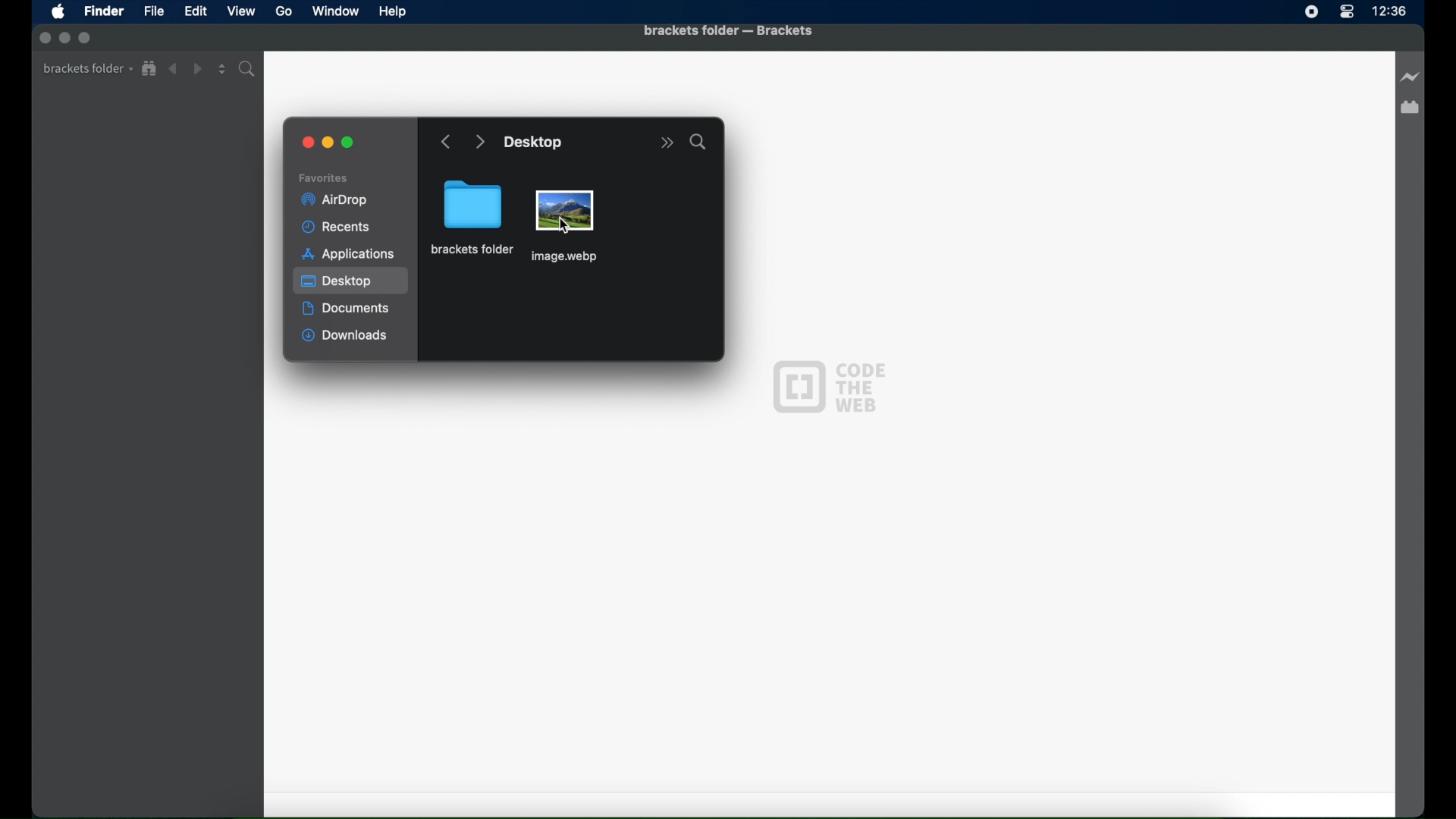 The image size is (1456, 819). I want to click on maximize, so click(350, 143).